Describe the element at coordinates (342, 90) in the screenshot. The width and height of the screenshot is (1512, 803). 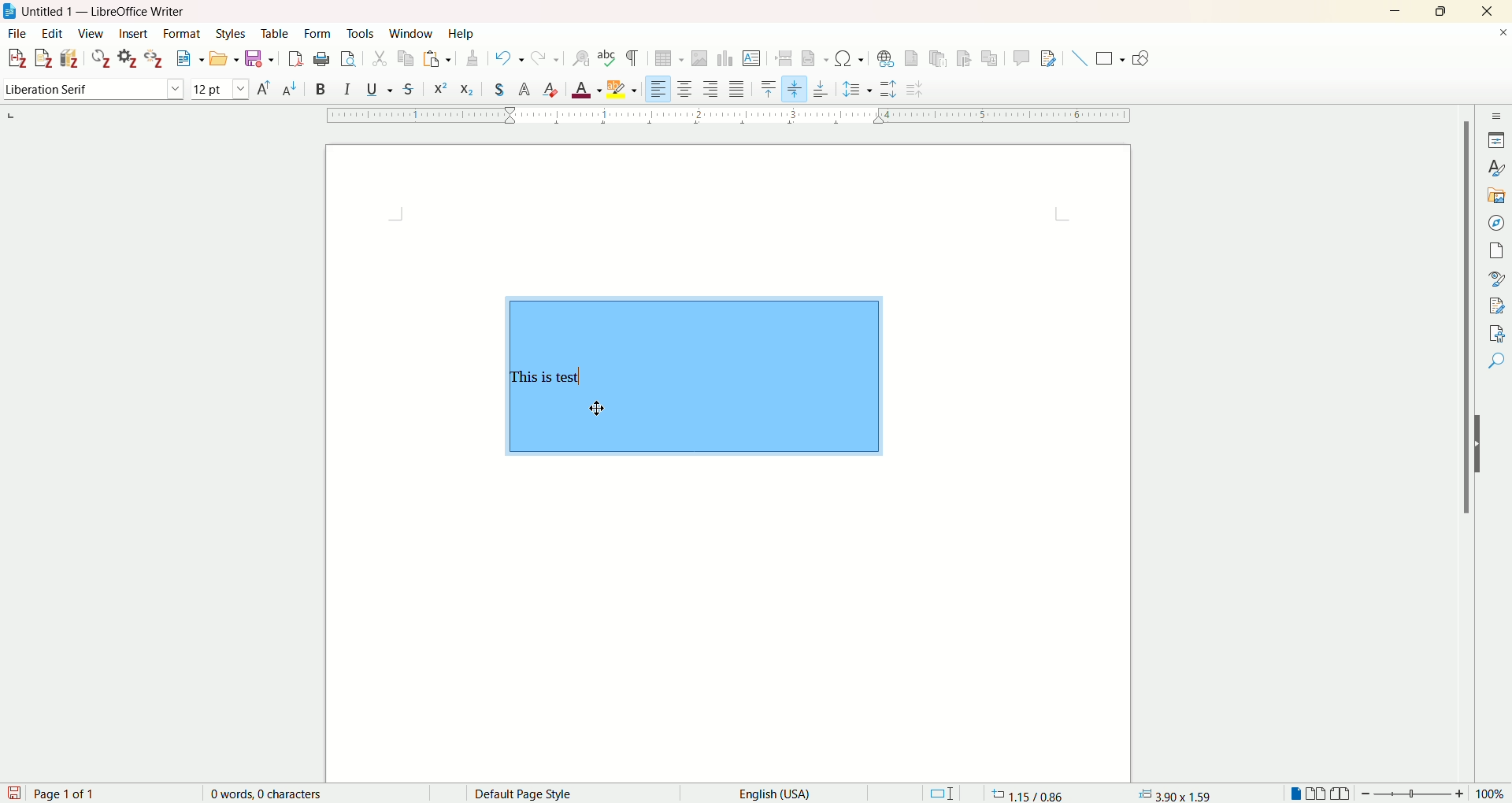
I see `send to back` at that location.